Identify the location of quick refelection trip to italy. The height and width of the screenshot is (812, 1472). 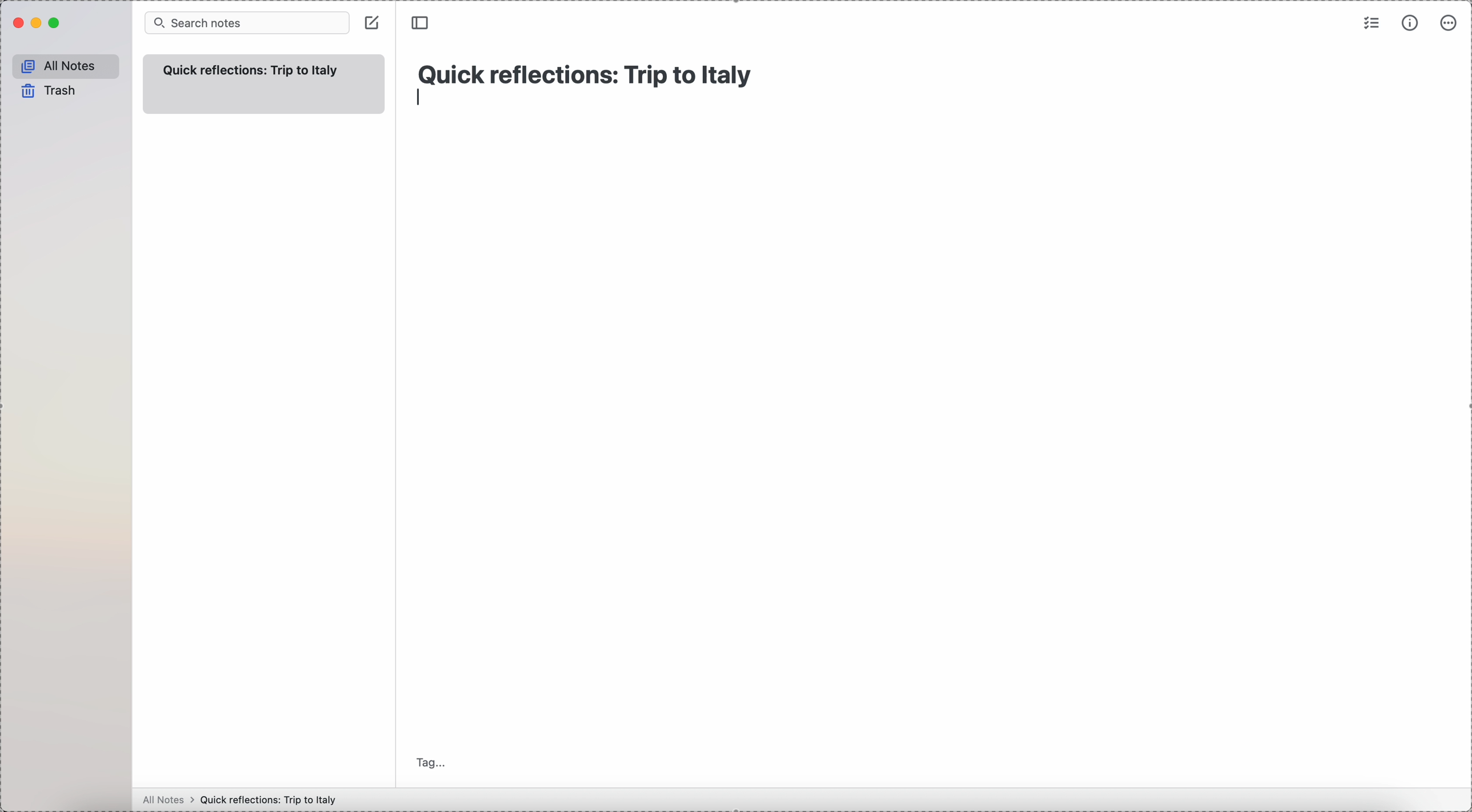
(253, 70).